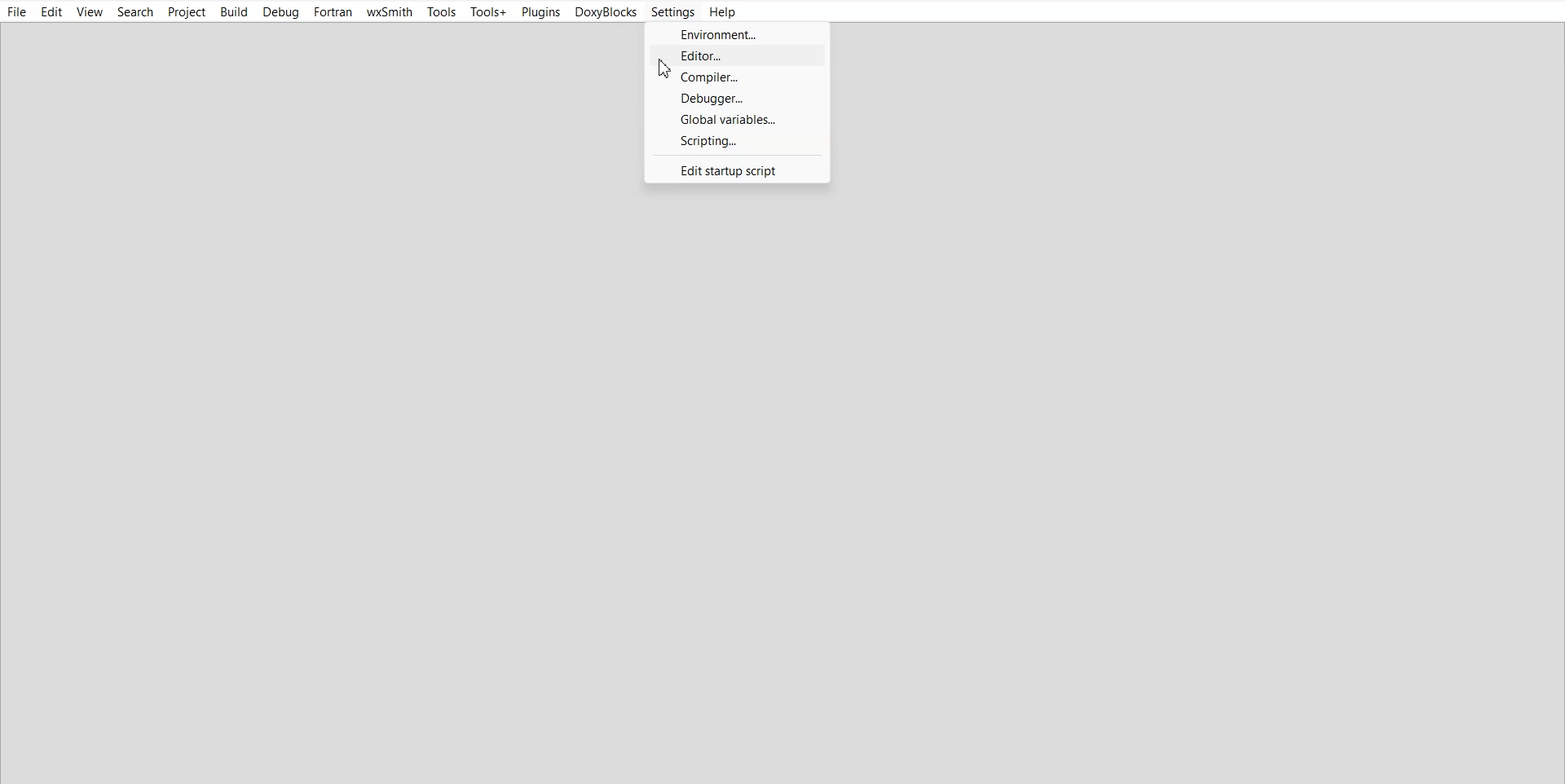  What do you see at coordinates (736, 55) in the screenshot?
I see `Editor` at bounding box center [736, 55].